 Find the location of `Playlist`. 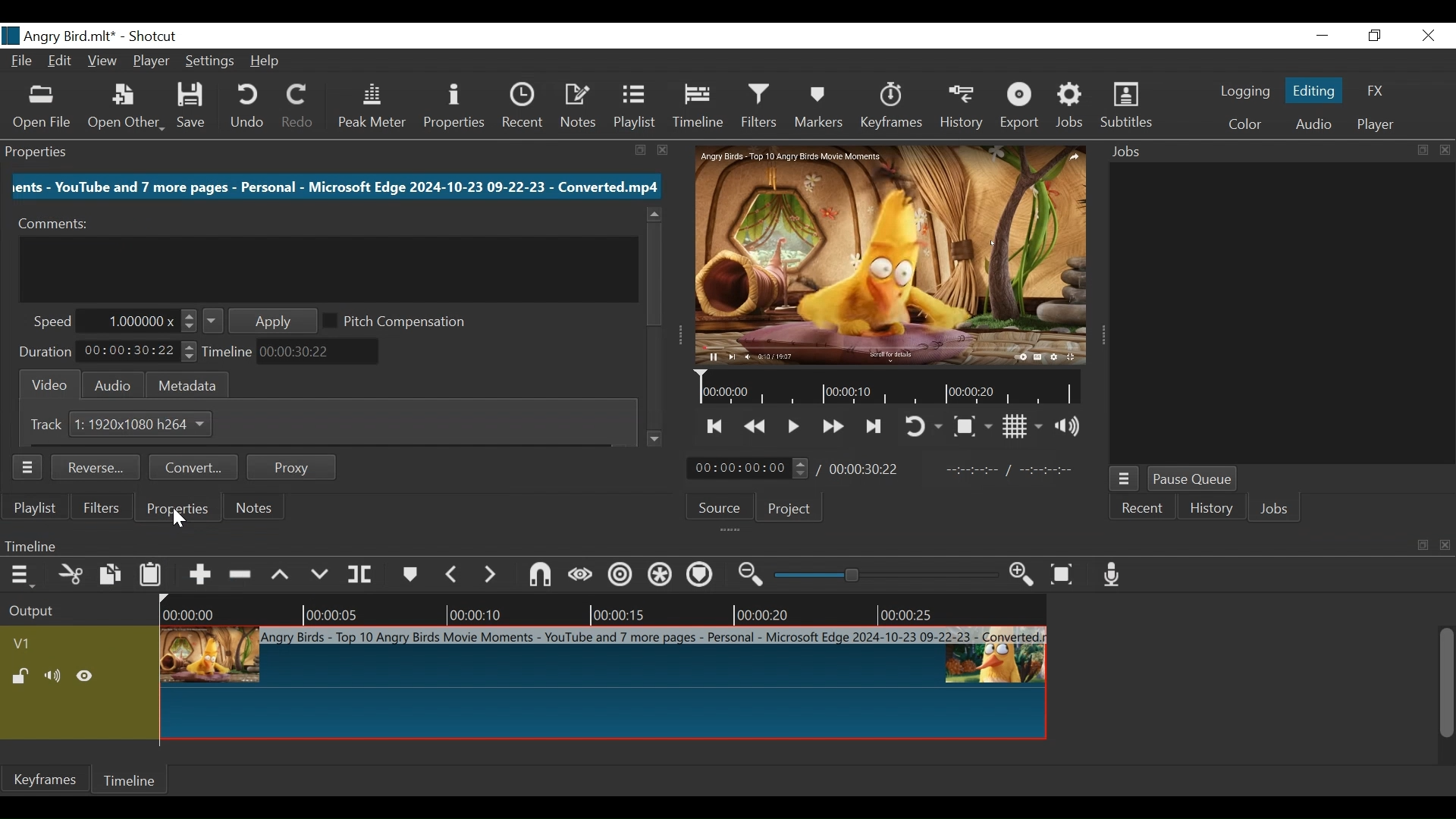

Playlist is located at coordinates (638, 108).